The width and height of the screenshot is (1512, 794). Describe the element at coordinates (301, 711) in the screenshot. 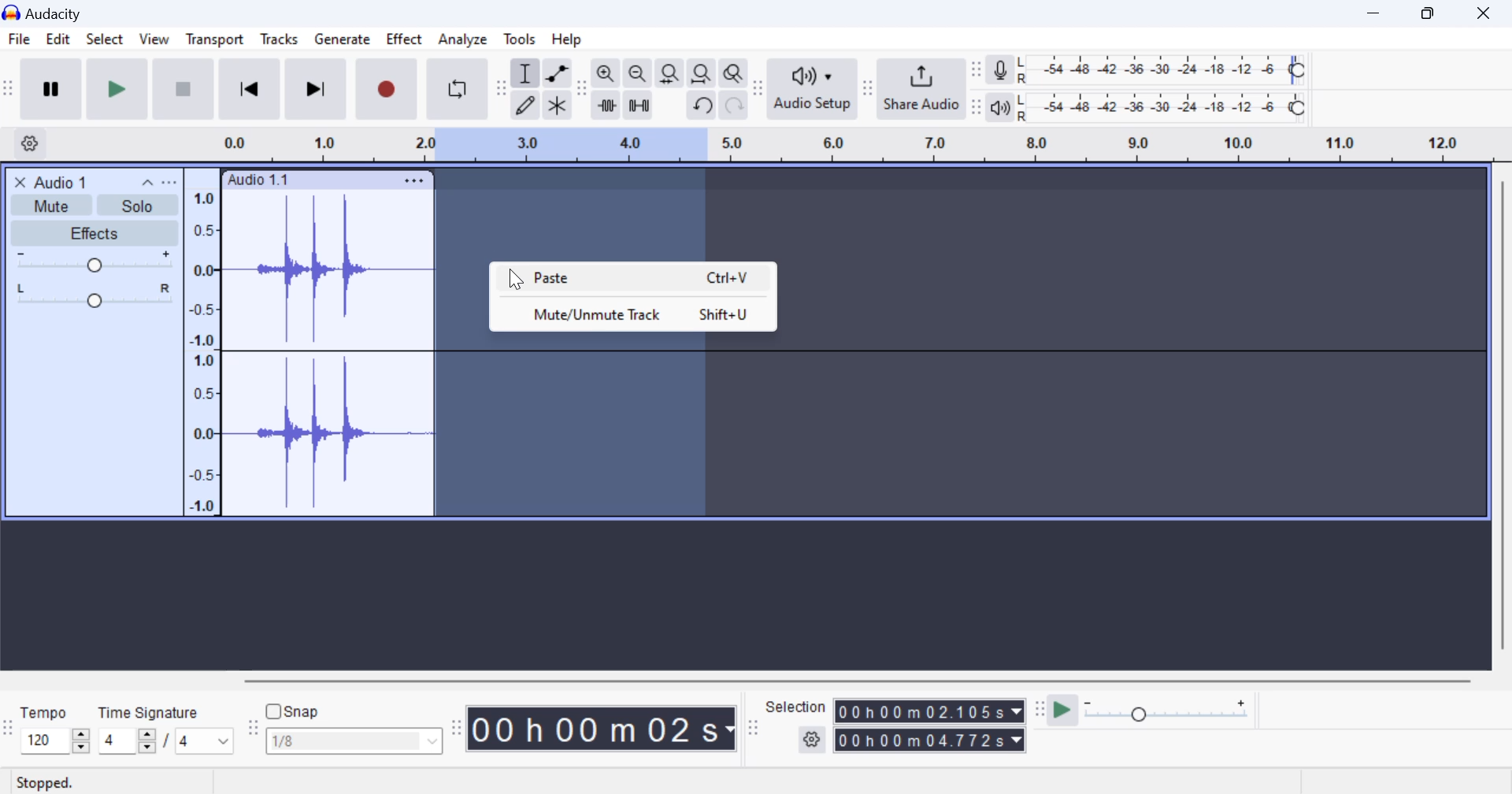

I see `snap toggle` at that location.